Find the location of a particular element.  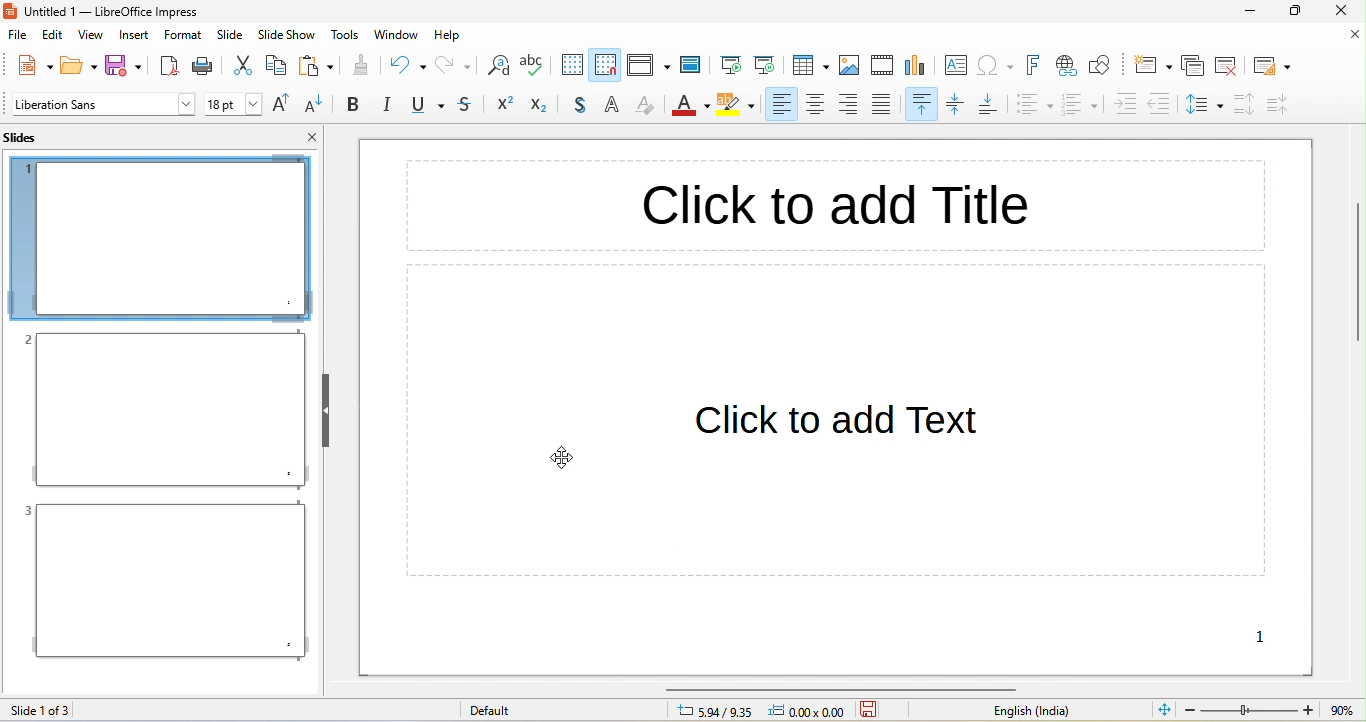

redo is located at coordinates (455, 65).